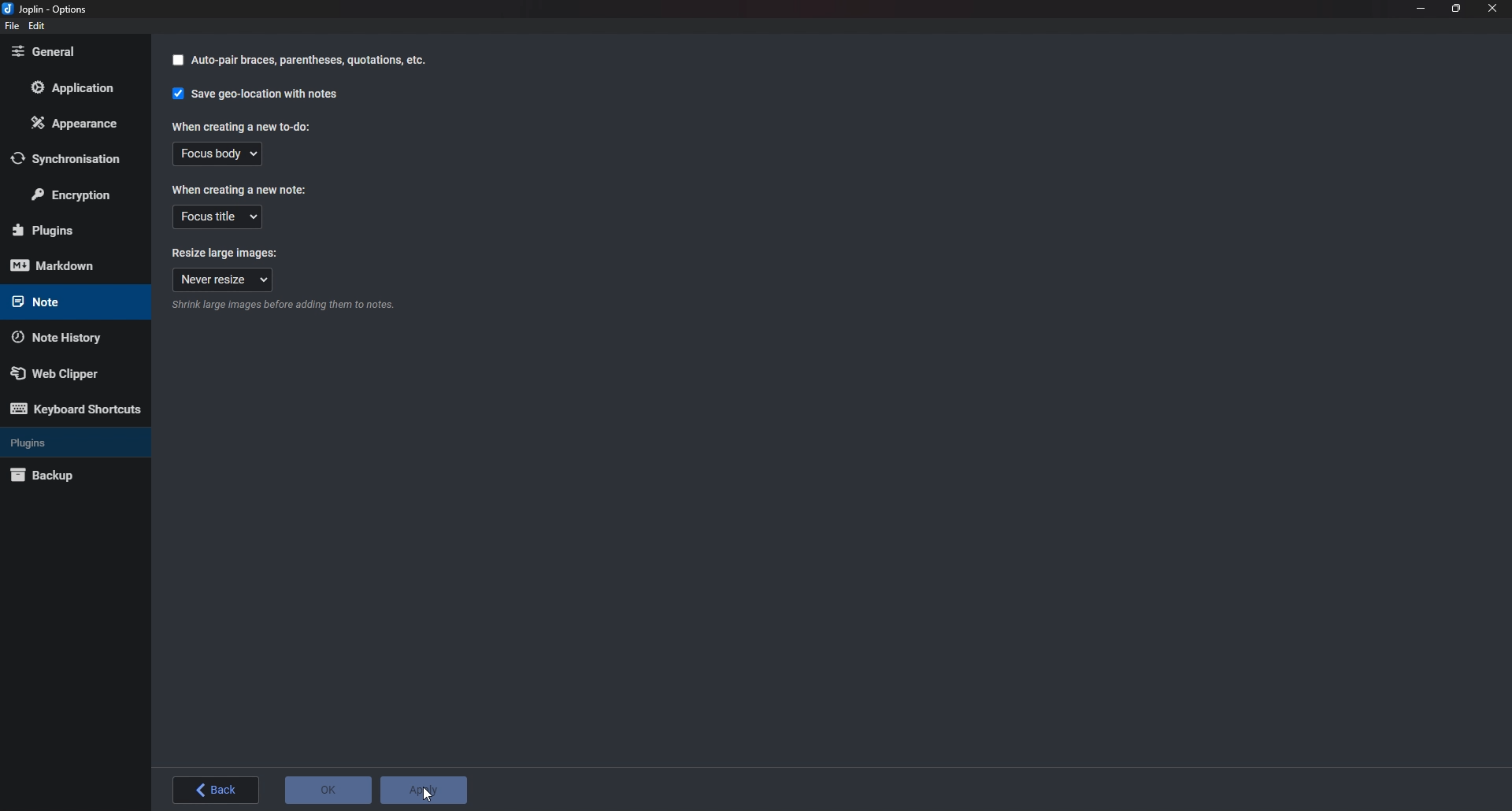 This screenshot has height=811, width=1512. I want to click on File, so click(12, 27).